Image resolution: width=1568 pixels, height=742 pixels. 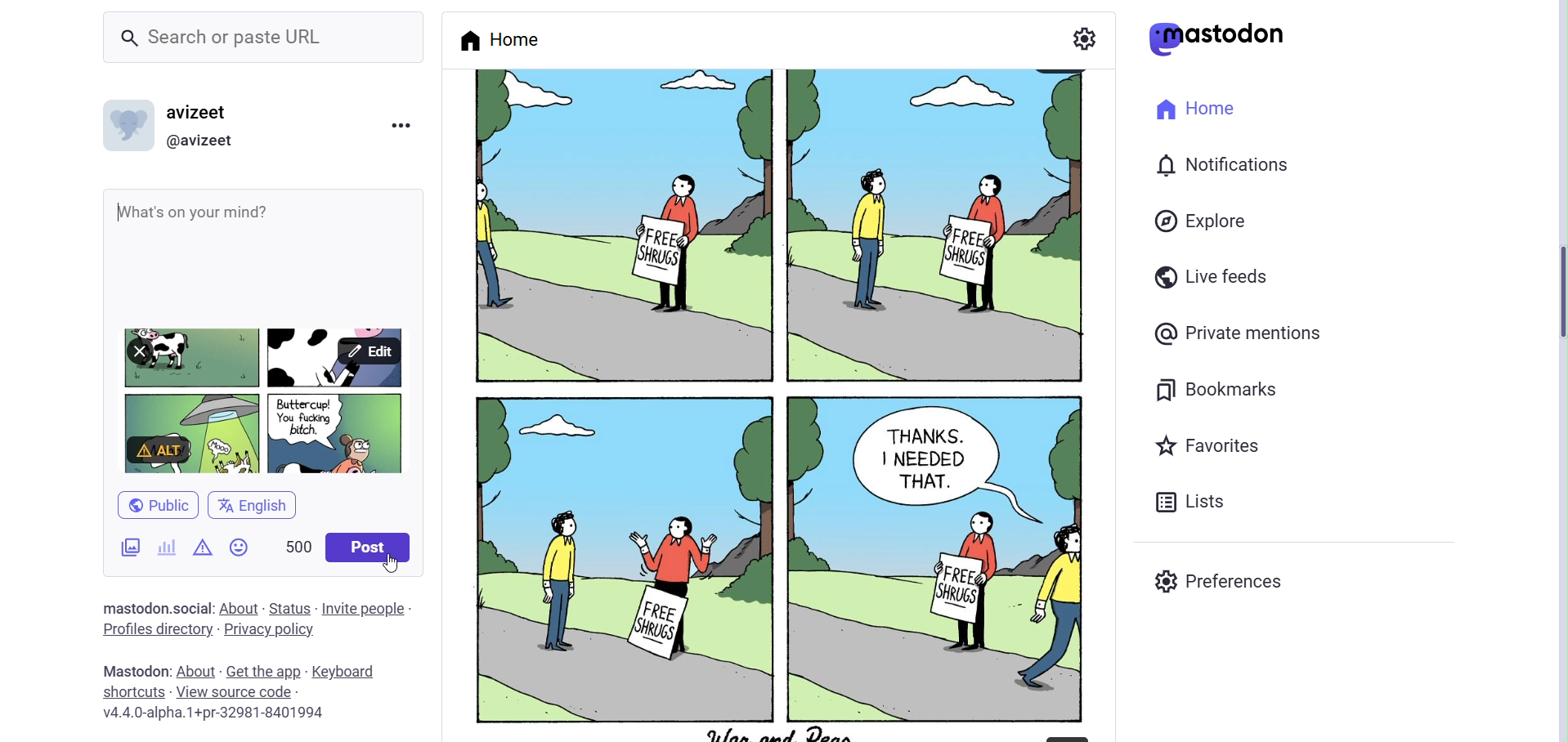 What do you see at coordinates (393, 566) in the screenshot?
I see `cursor` at bounding box center [393, 566].